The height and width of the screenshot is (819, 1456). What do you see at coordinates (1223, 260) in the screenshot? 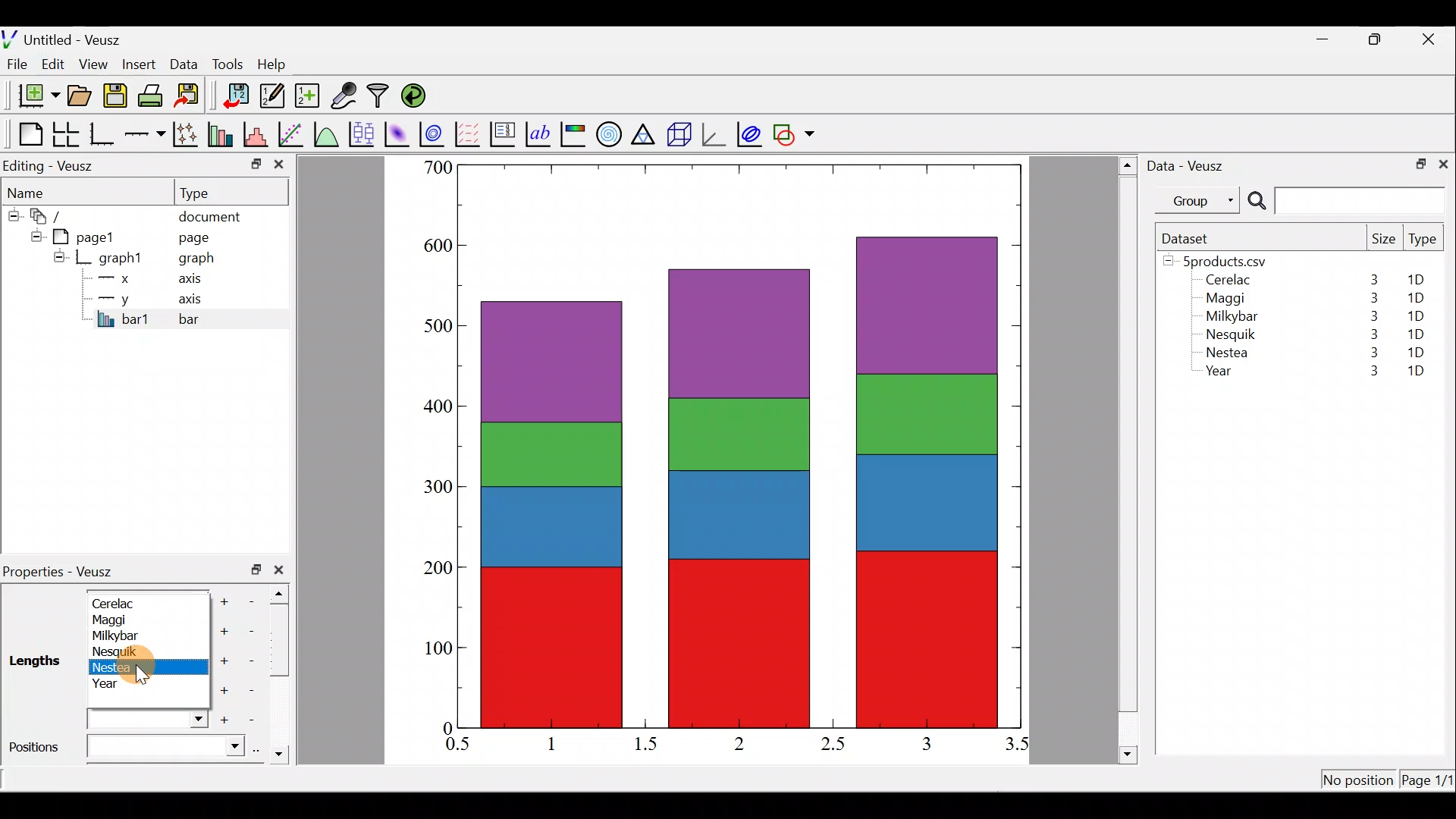
I see `5products.csv` at bounding box center [1223, 260].